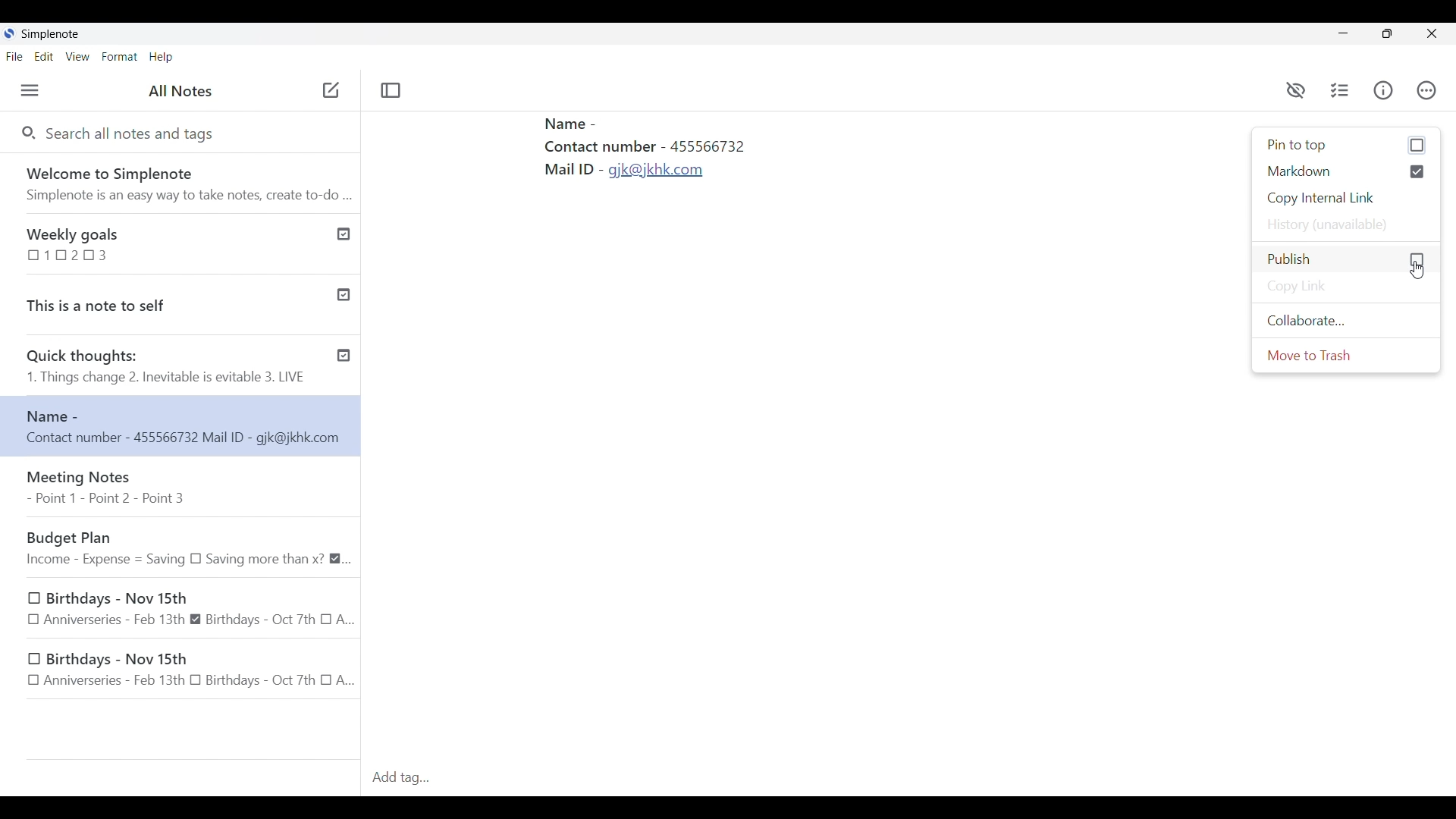 This screenshot has height=819, width=1456. I want to click on Software welcome note, so click(179, 180).